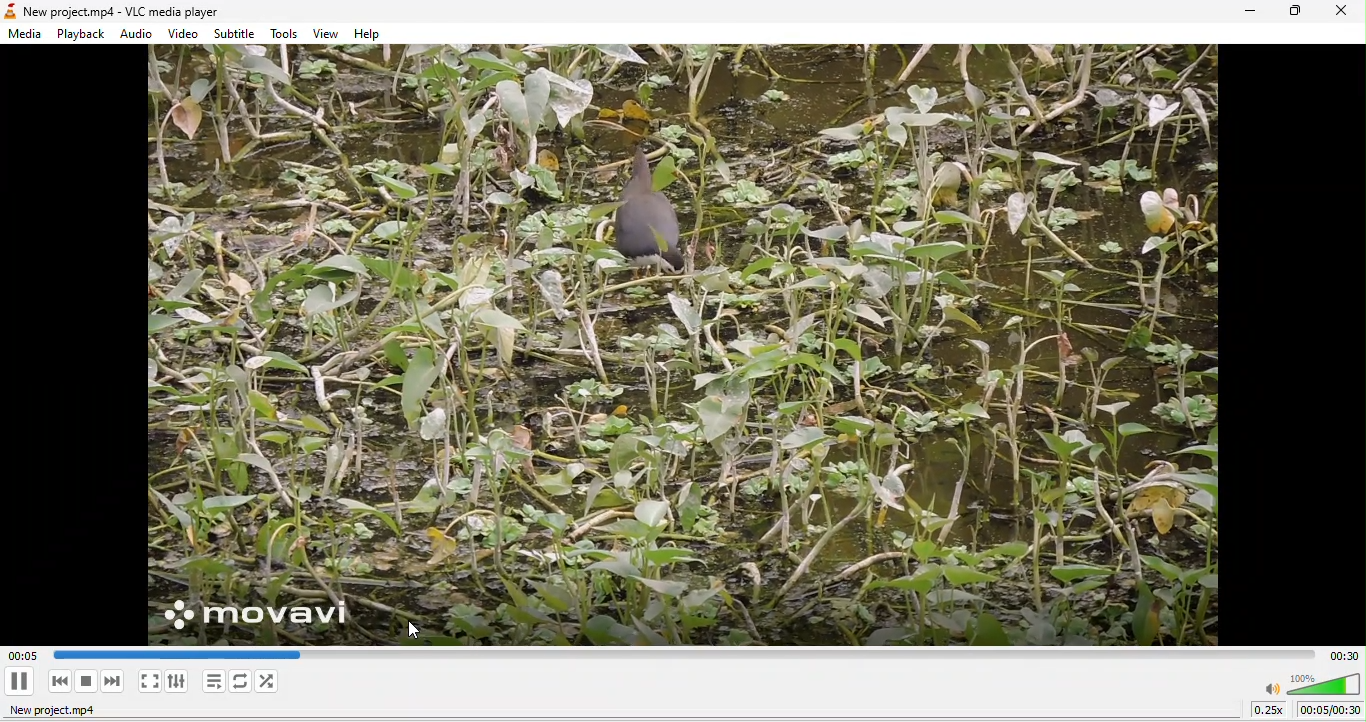 The image size is (1366, 722). I want to click on Play duration, so click(1344, 654).